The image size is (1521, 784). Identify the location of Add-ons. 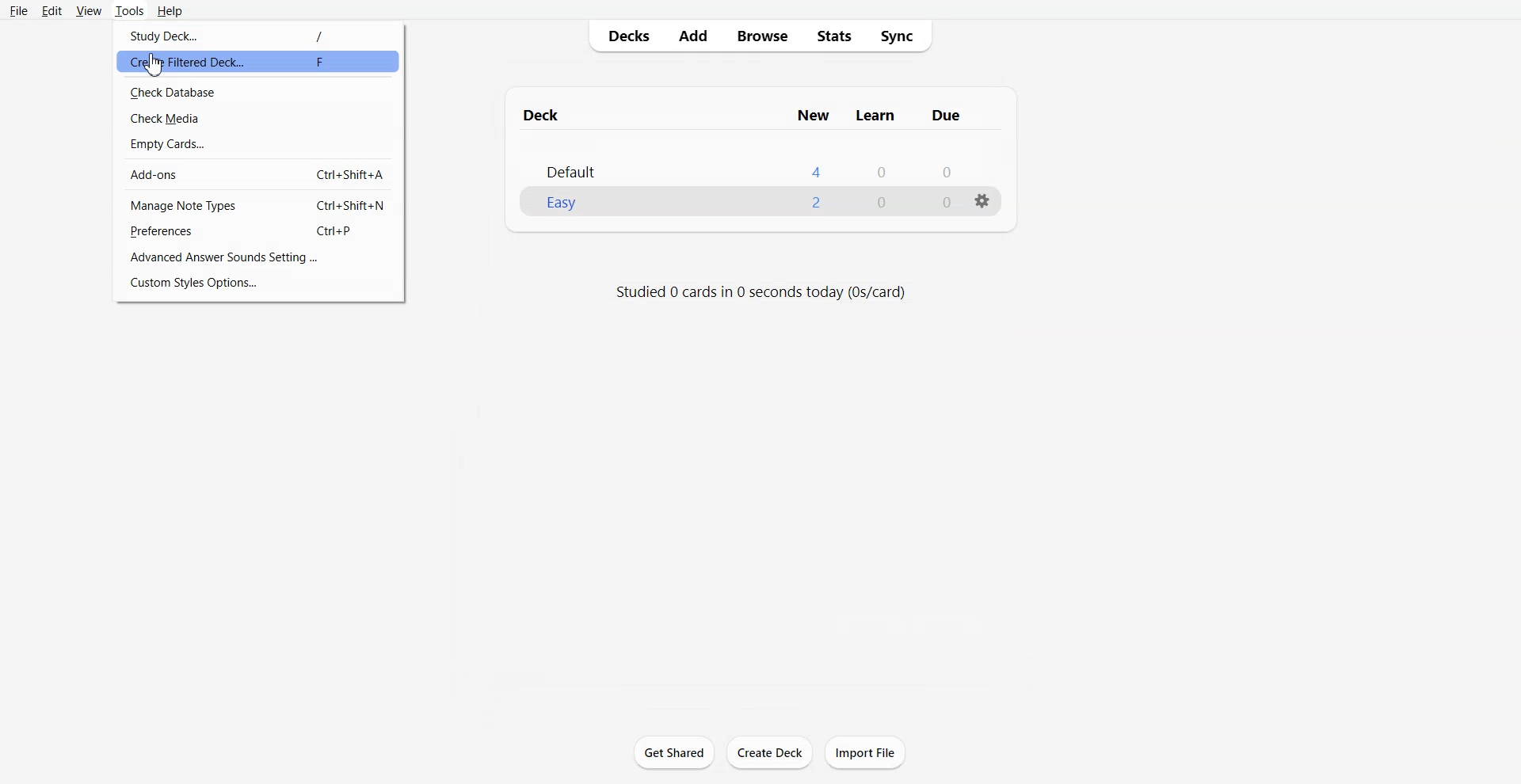
(259, 173).